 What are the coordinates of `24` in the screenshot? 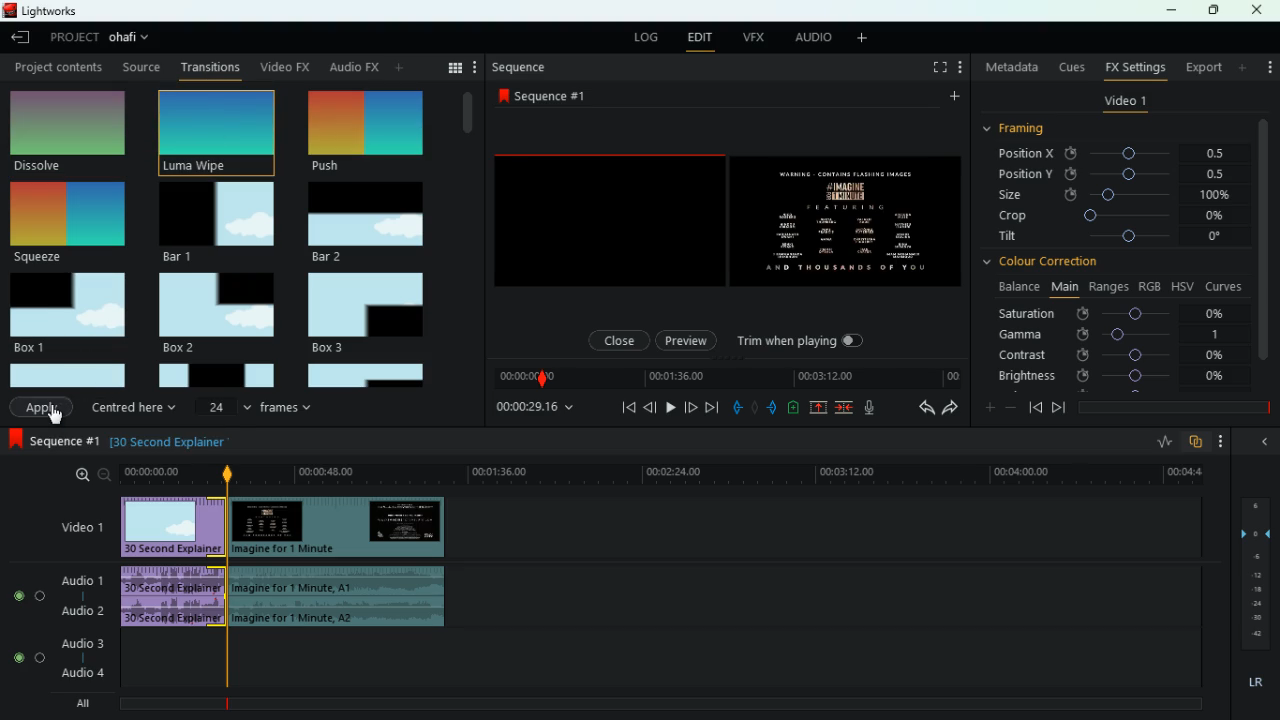 It's located at (225, 406).